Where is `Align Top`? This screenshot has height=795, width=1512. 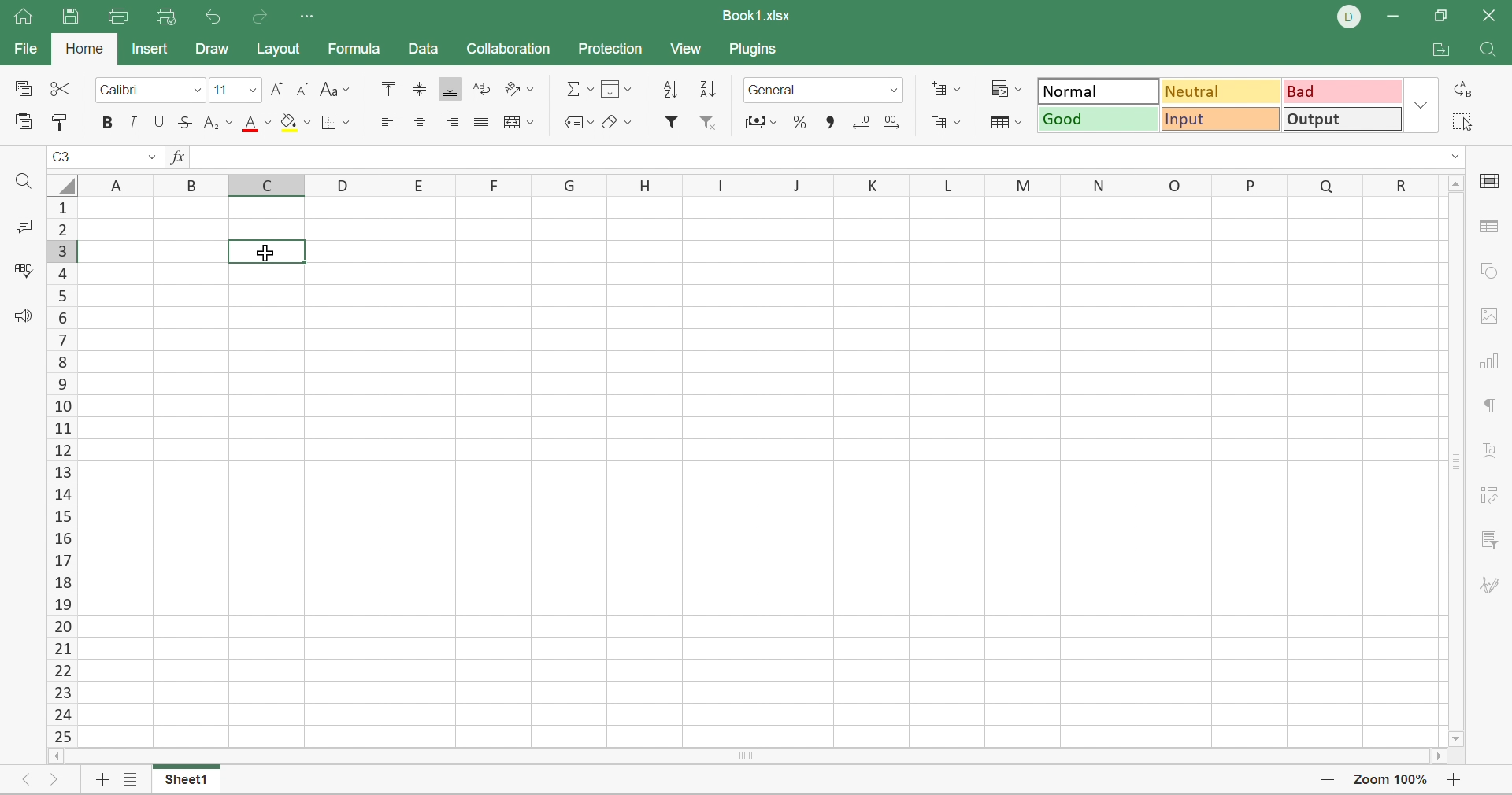
Align Top is located at coordinates (387, 87).